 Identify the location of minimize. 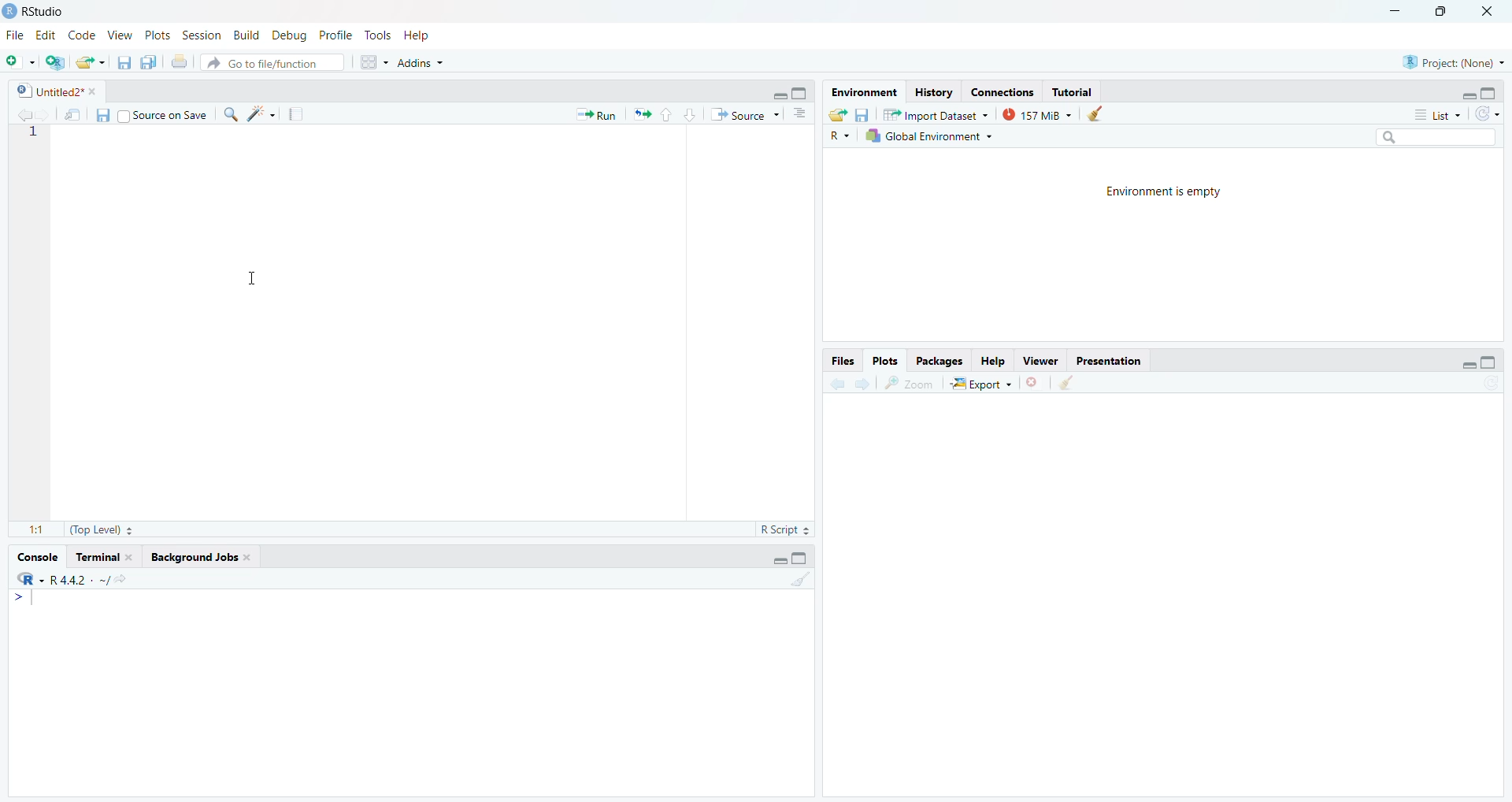
(1470, 366).